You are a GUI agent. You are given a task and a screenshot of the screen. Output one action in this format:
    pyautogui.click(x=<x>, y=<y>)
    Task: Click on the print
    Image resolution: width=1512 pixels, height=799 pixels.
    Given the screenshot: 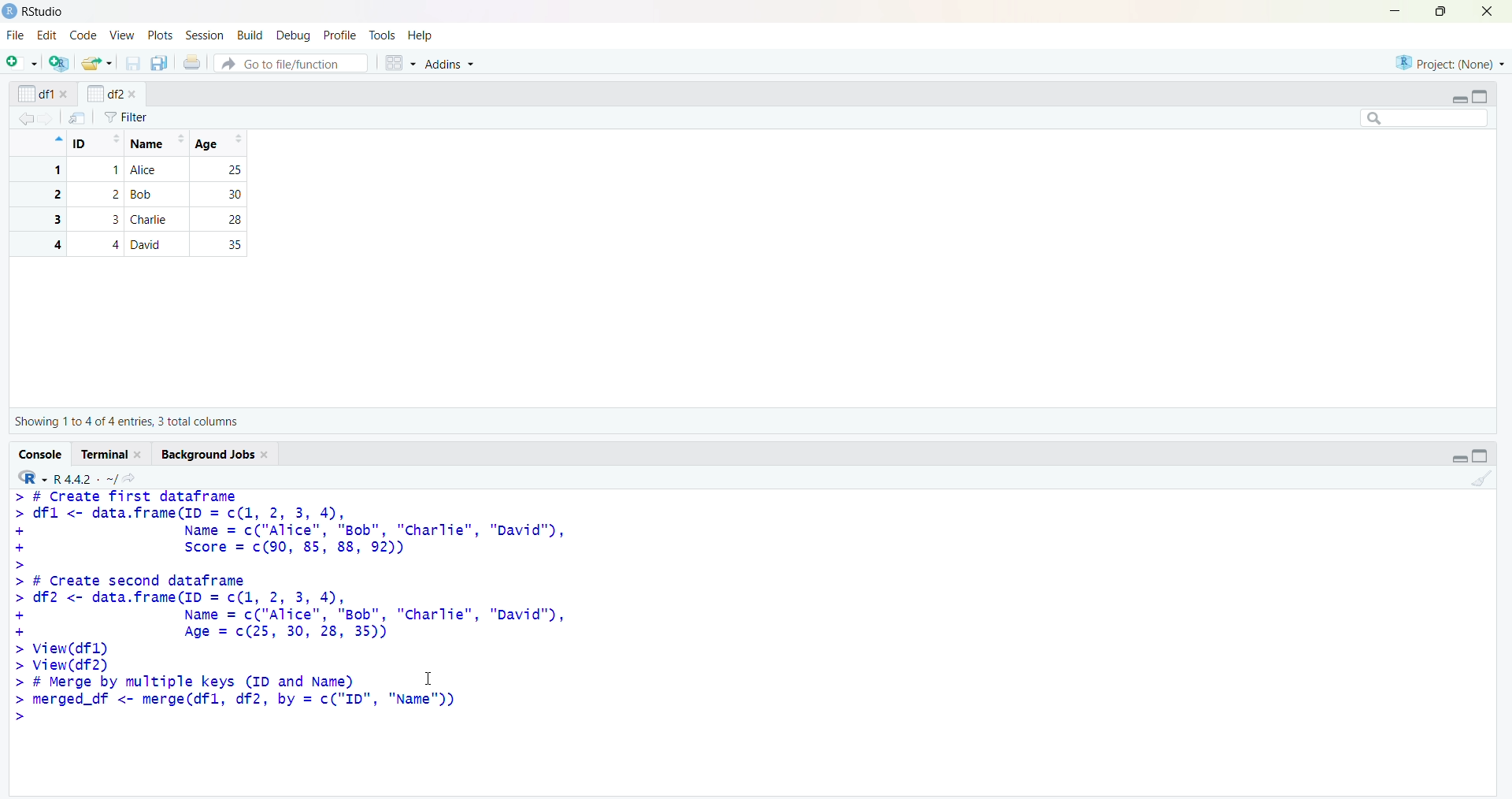 What is the action you would take?
    pyautogui.click(x=193, y=61)
    